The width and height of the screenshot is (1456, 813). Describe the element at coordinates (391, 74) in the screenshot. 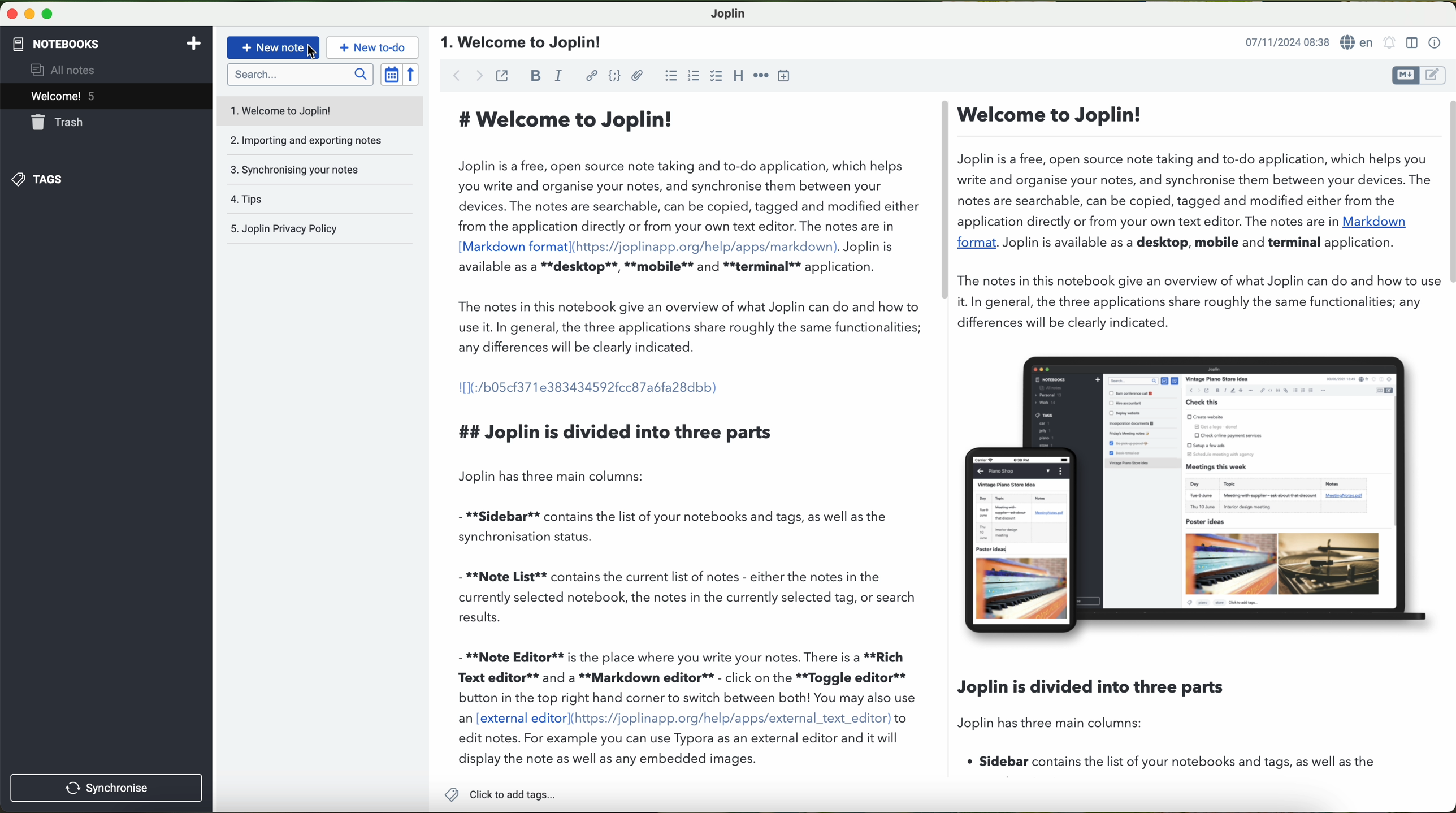

I see `toggle sort order field` at that location.